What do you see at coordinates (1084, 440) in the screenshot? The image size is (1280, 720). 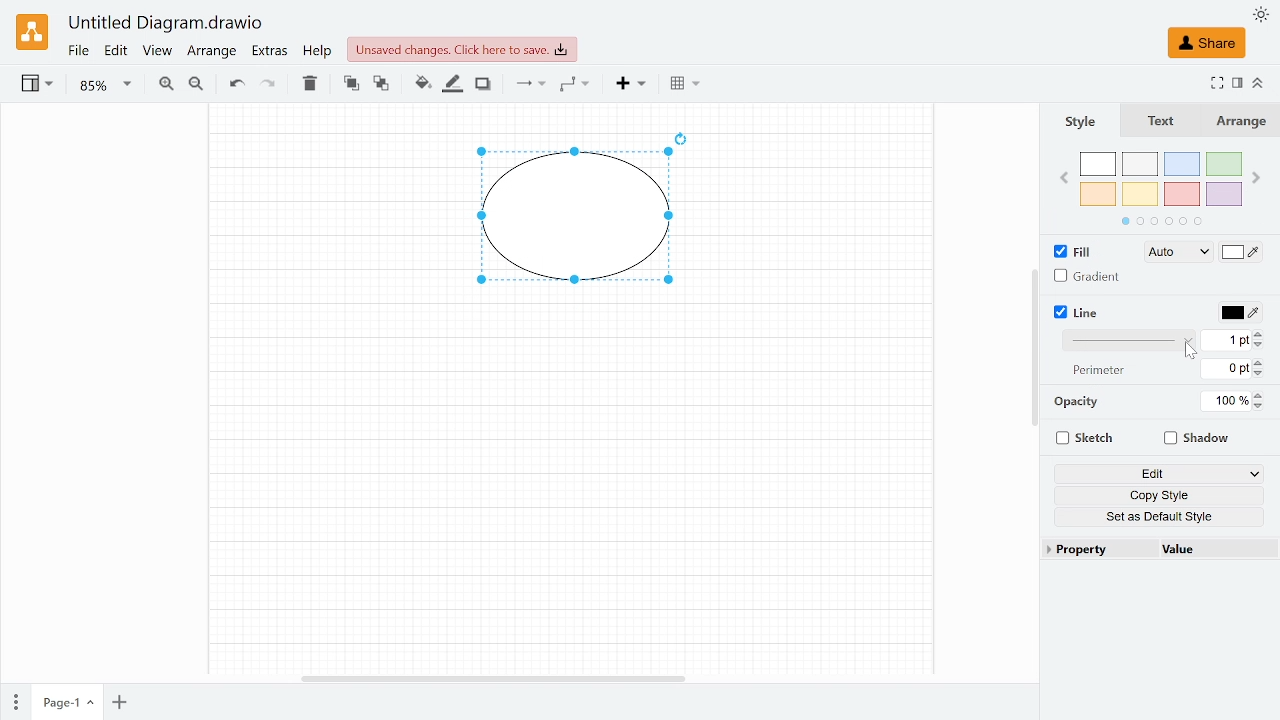 I see `Sketch` at bounding box center [1084, 440].